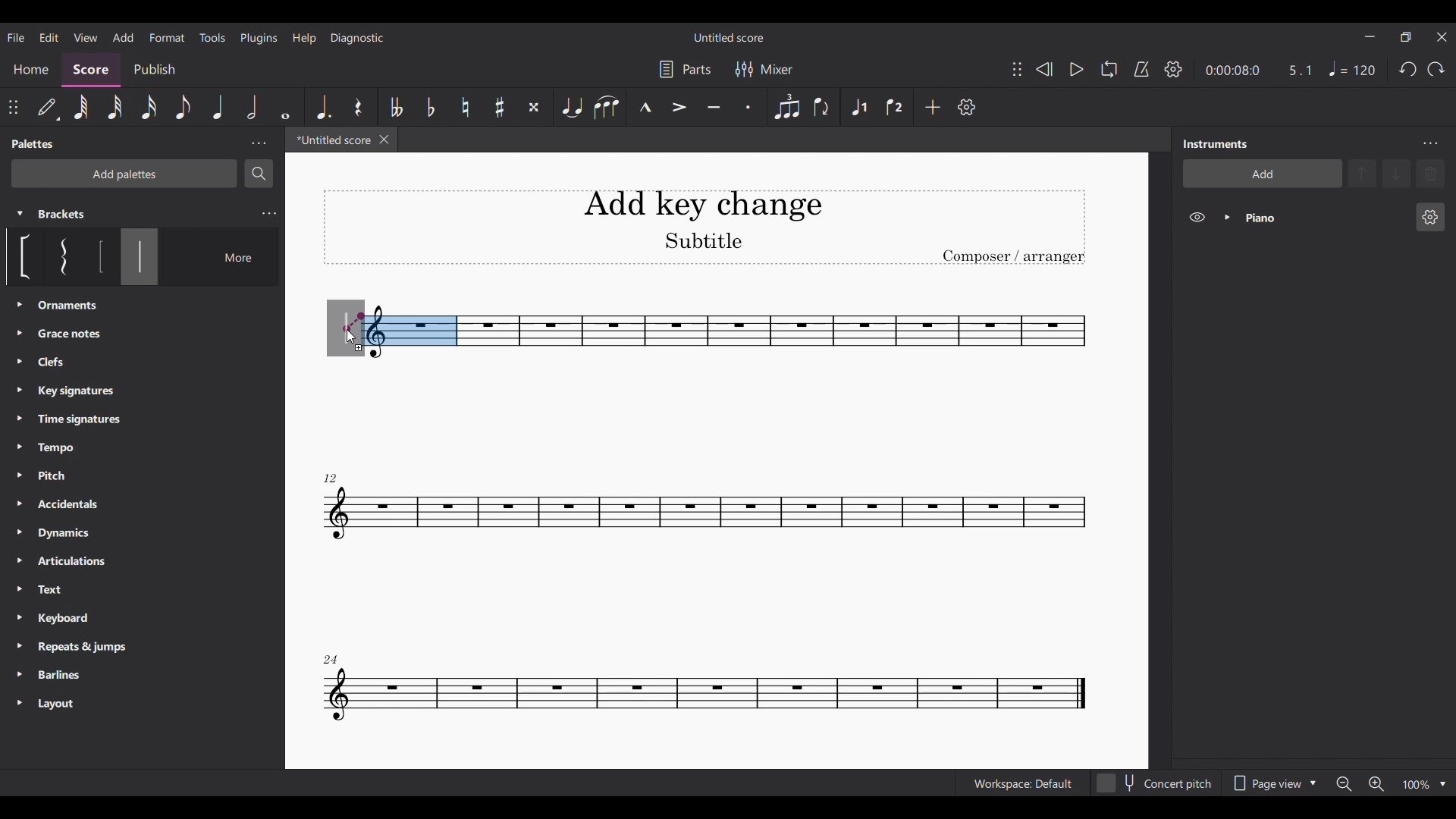  I want to click on Loop playback, so click(1109, 68).